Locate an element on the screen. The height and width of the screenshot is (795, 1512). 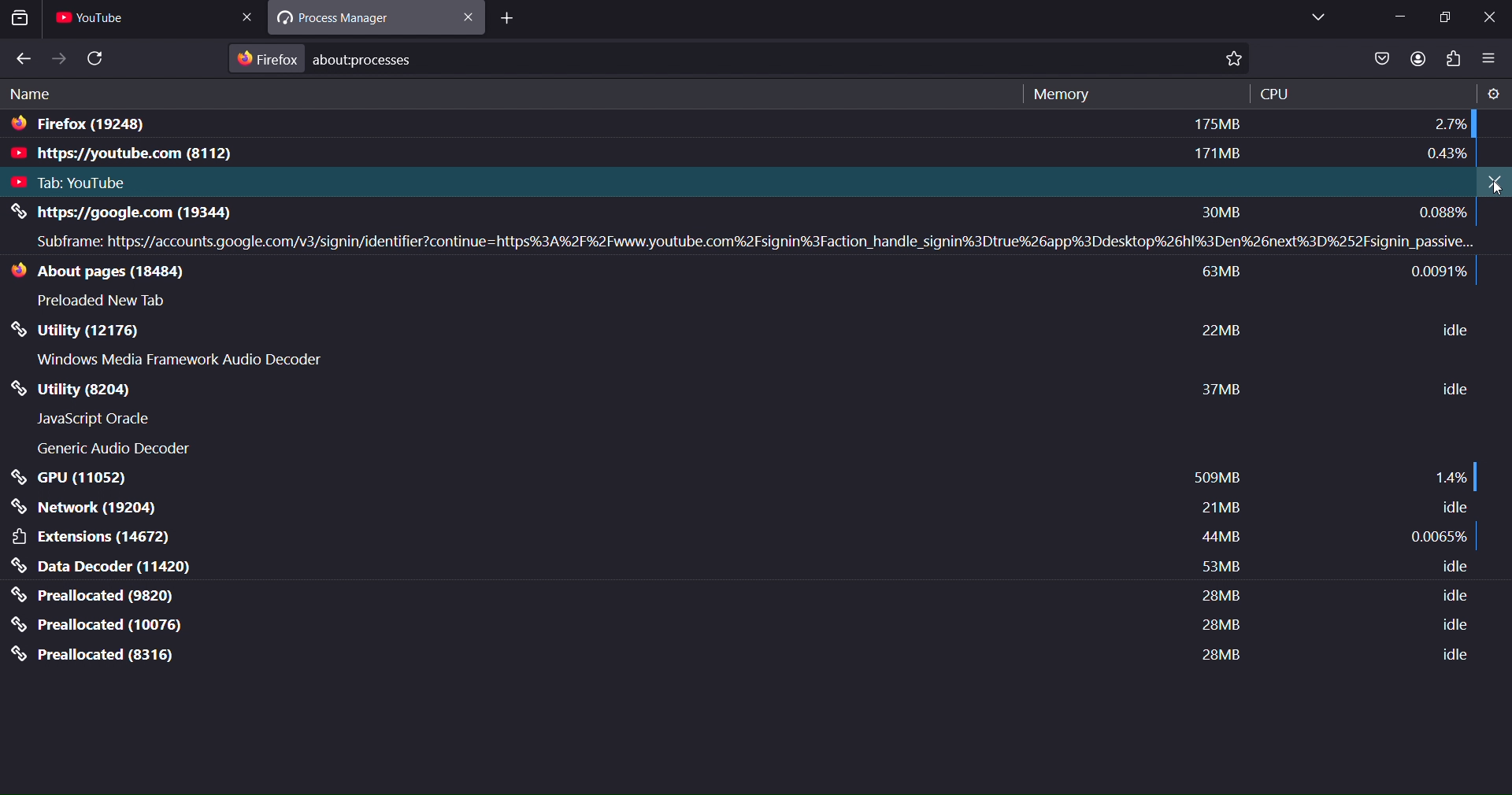
preallocated is located at coordinates (101, 625).